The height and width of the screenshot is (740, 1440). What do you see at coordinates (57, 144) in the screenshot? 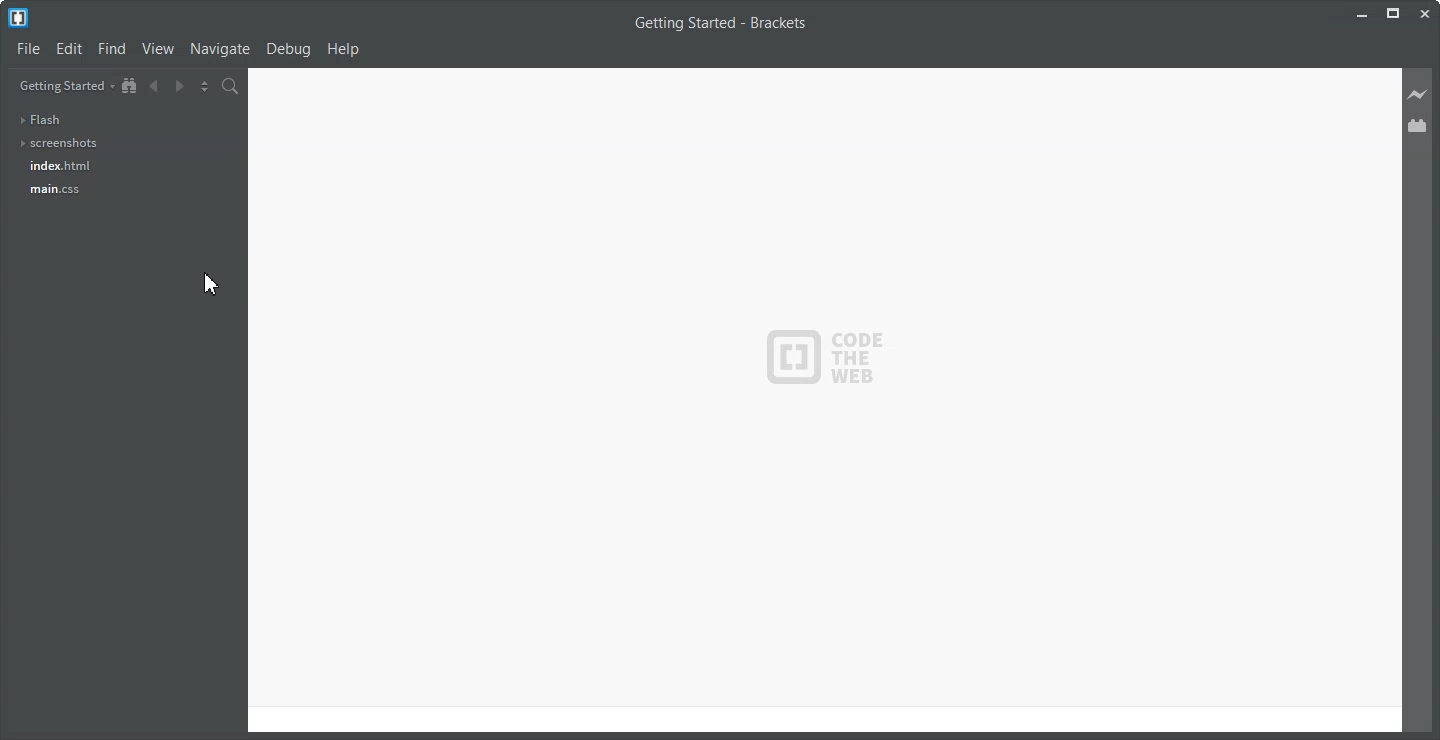
I see `screenshots` at bounding box center [57, 144].